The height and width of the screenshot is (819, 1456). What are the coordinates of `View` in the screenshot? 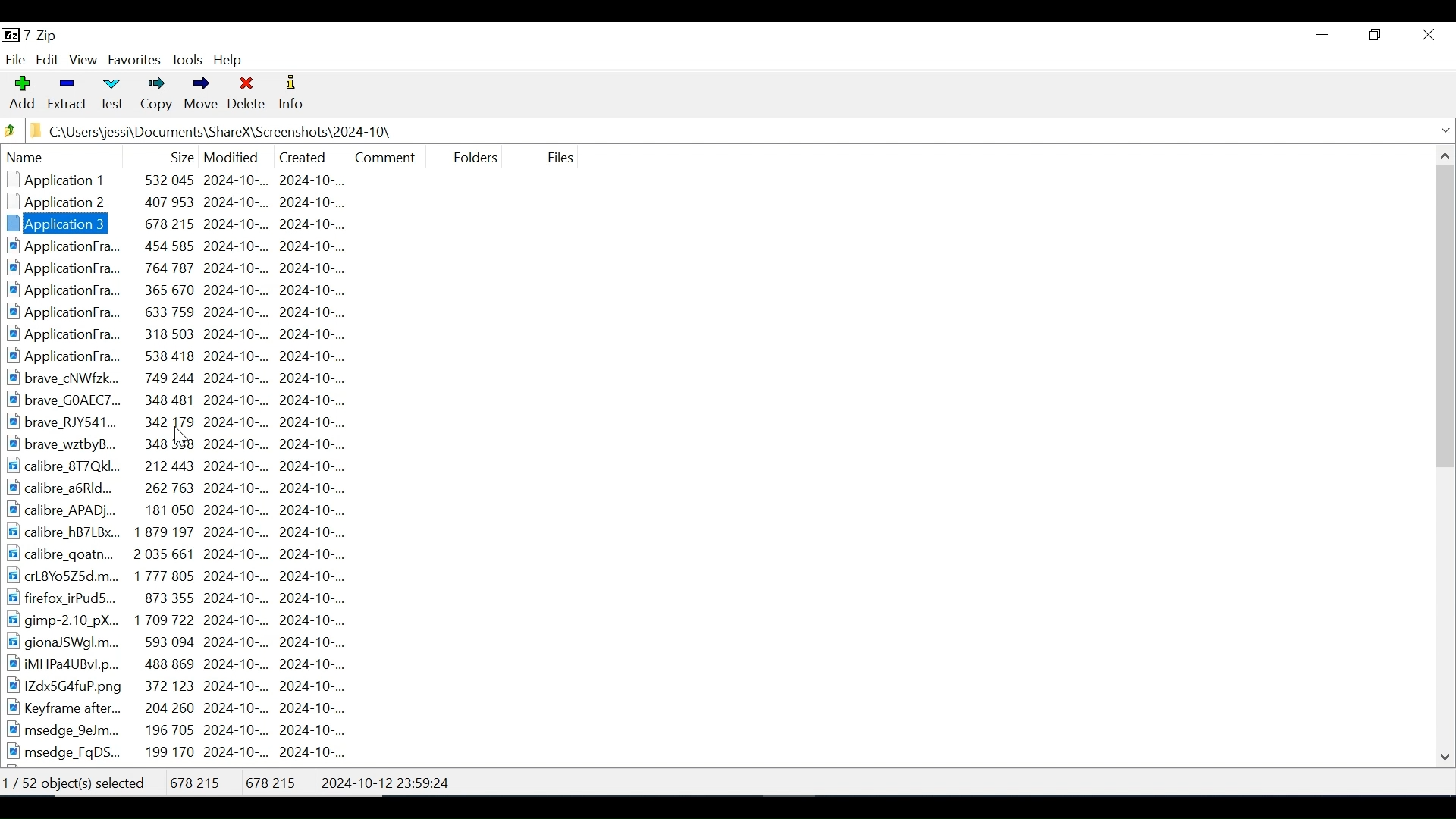 It's located at (84, 61).